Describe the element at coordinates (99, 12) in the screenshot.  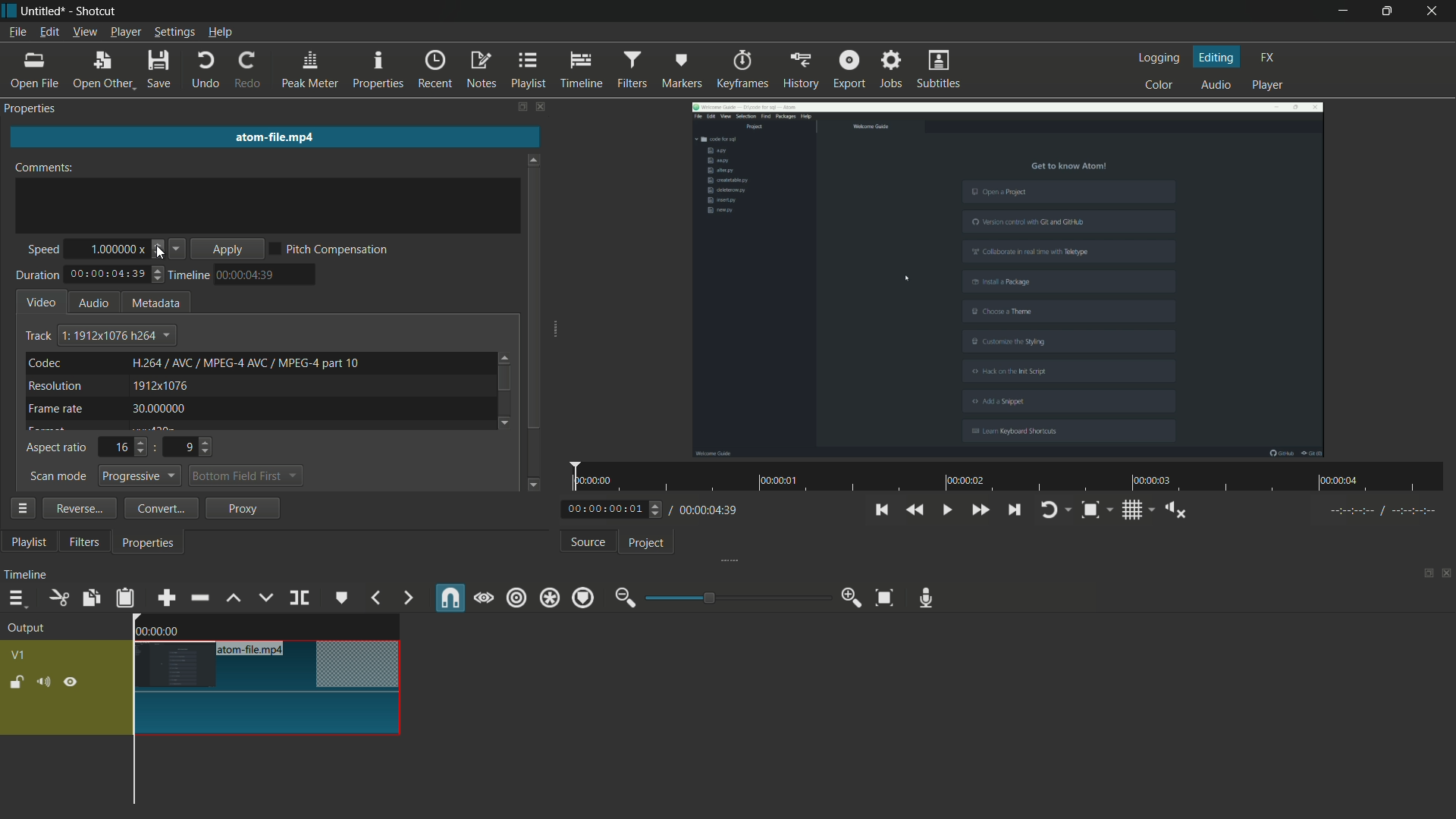
I see `app name` at that location.